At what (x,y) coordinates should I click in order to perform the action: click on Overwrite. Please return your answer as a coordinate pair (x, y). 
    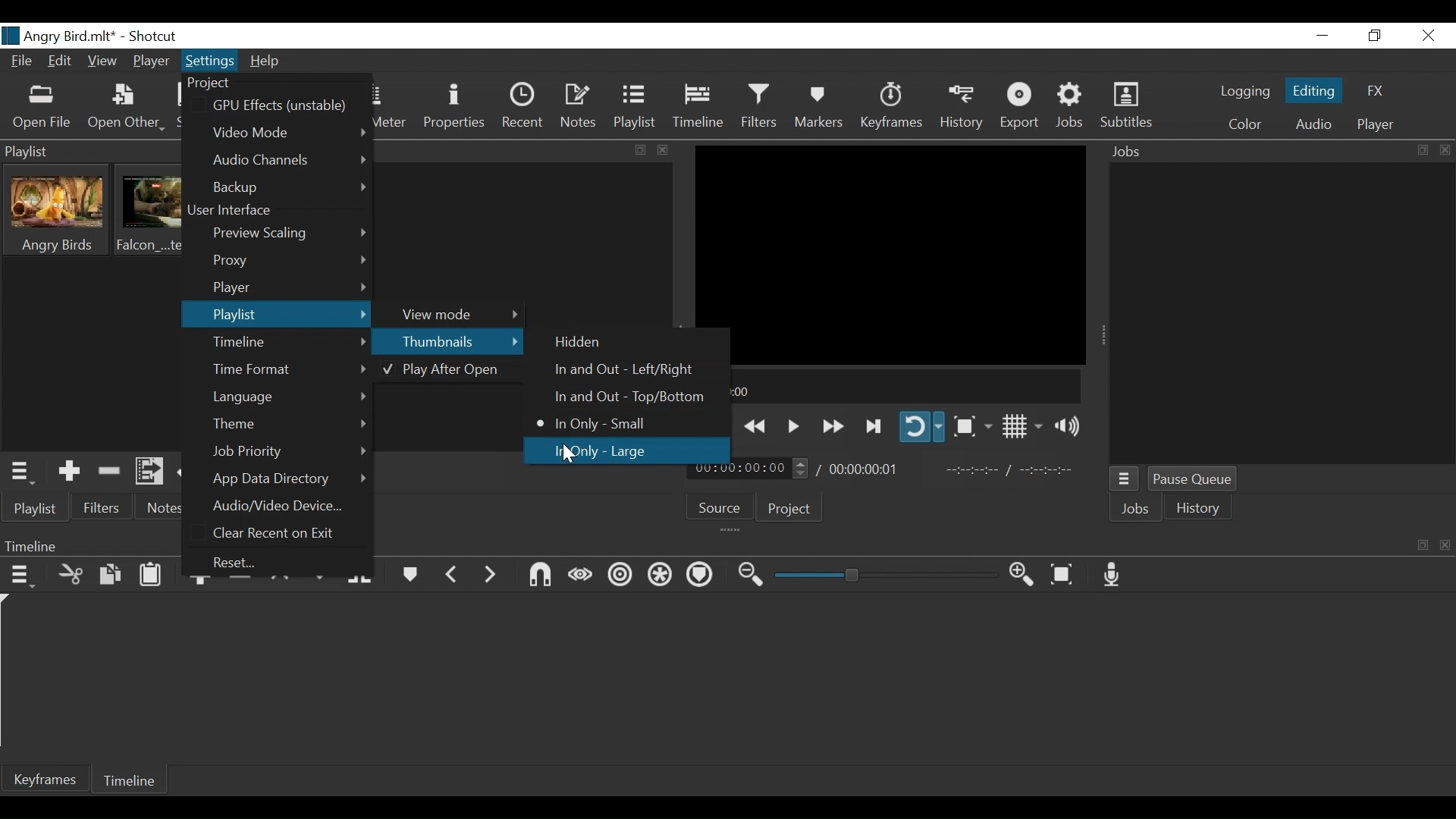
    Looking at the image, I should click on (321, 576).